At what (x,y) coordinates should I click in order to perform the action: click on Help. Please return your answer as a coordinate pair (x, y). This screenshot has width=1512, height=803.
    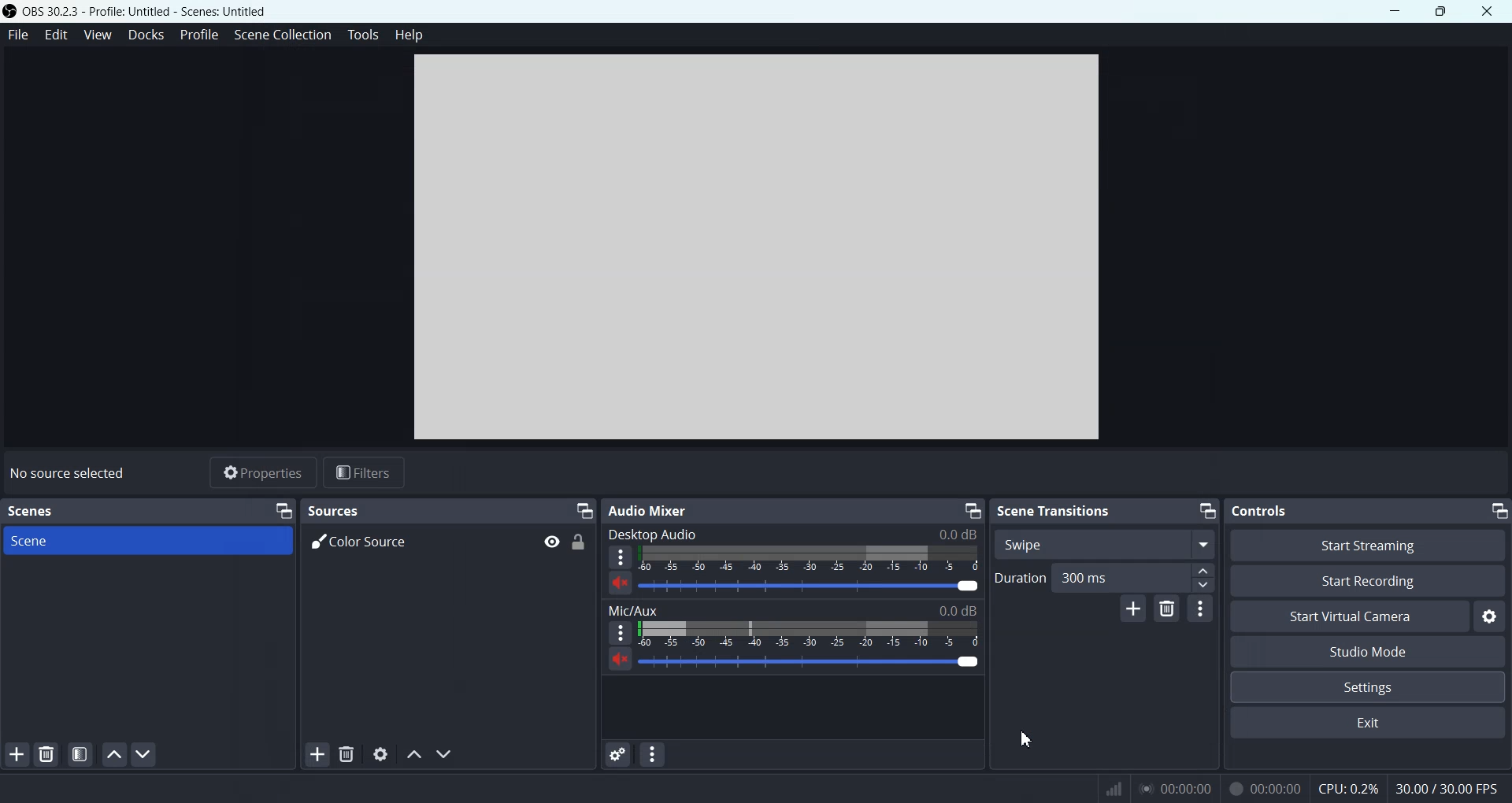
    Looking at the image, I should click on (409, 35).